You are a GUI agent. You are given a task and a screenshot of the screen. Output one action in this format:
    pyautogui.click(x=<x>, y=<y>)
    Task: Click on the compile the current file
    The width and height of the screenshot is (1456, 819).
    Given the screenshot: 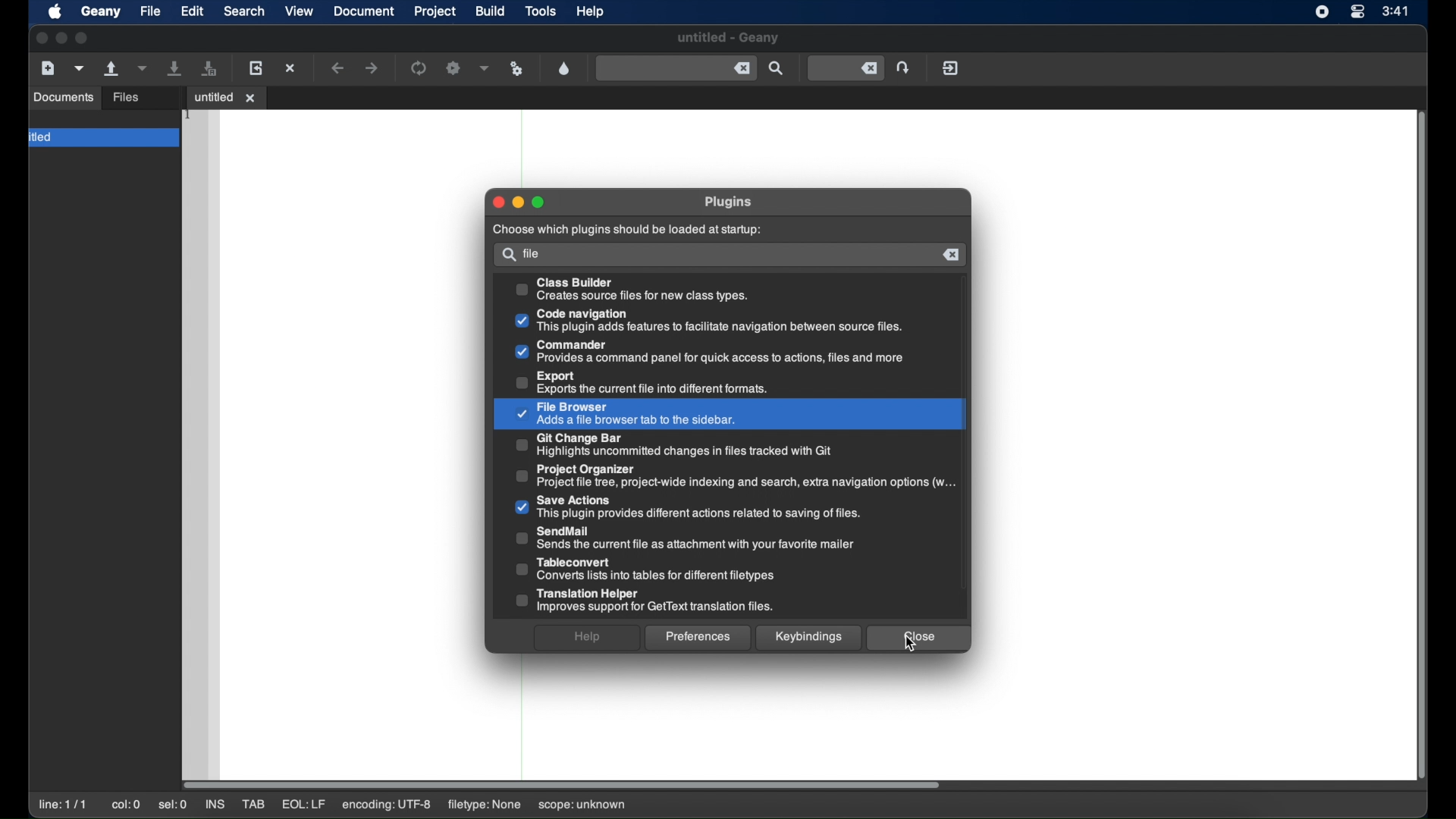 What is the action you would take?
    pyautogui.click(x=419, y=67)
    